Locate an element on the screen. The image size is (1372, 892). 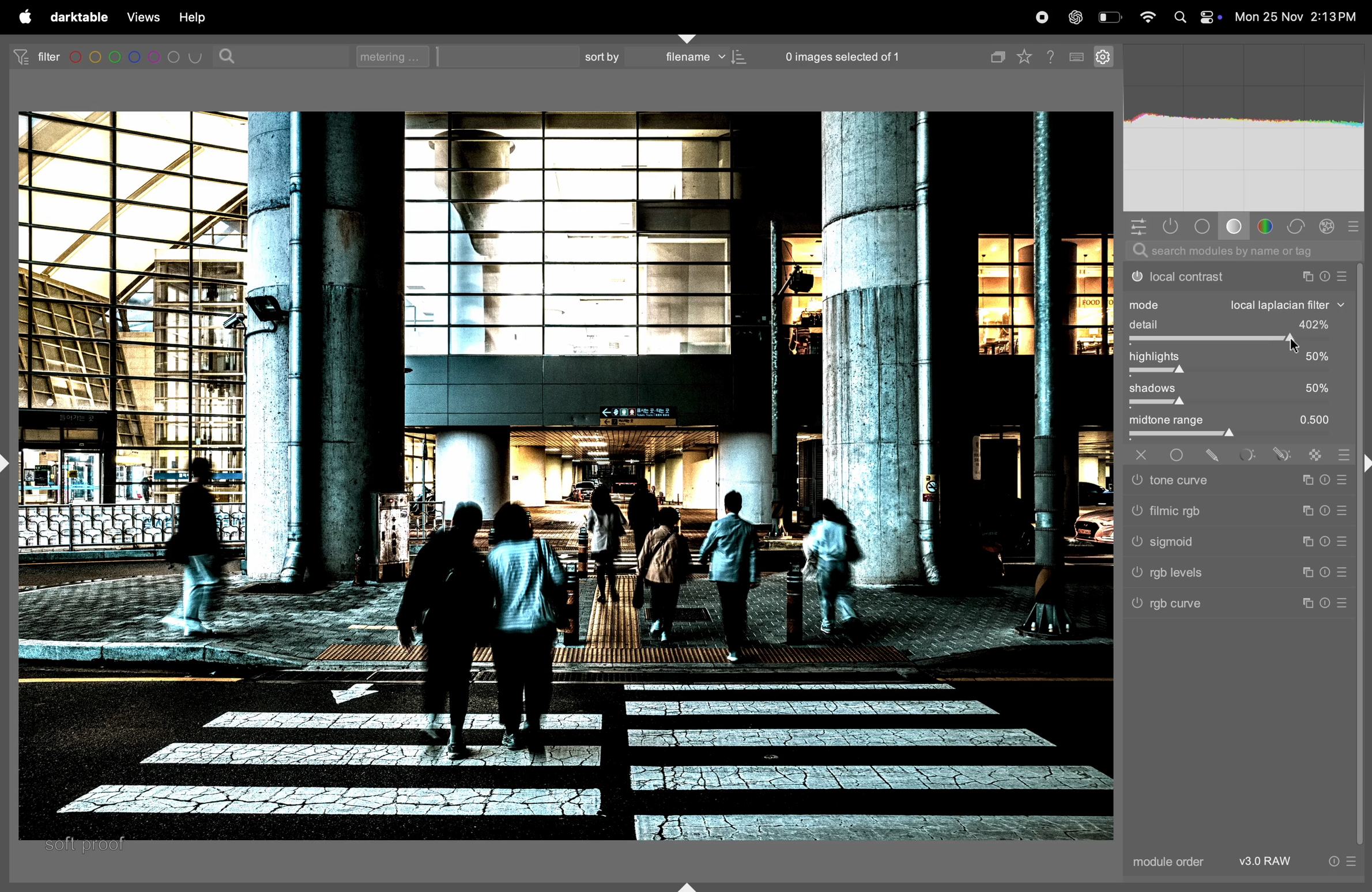
base is located at coordinates (1234, 226).